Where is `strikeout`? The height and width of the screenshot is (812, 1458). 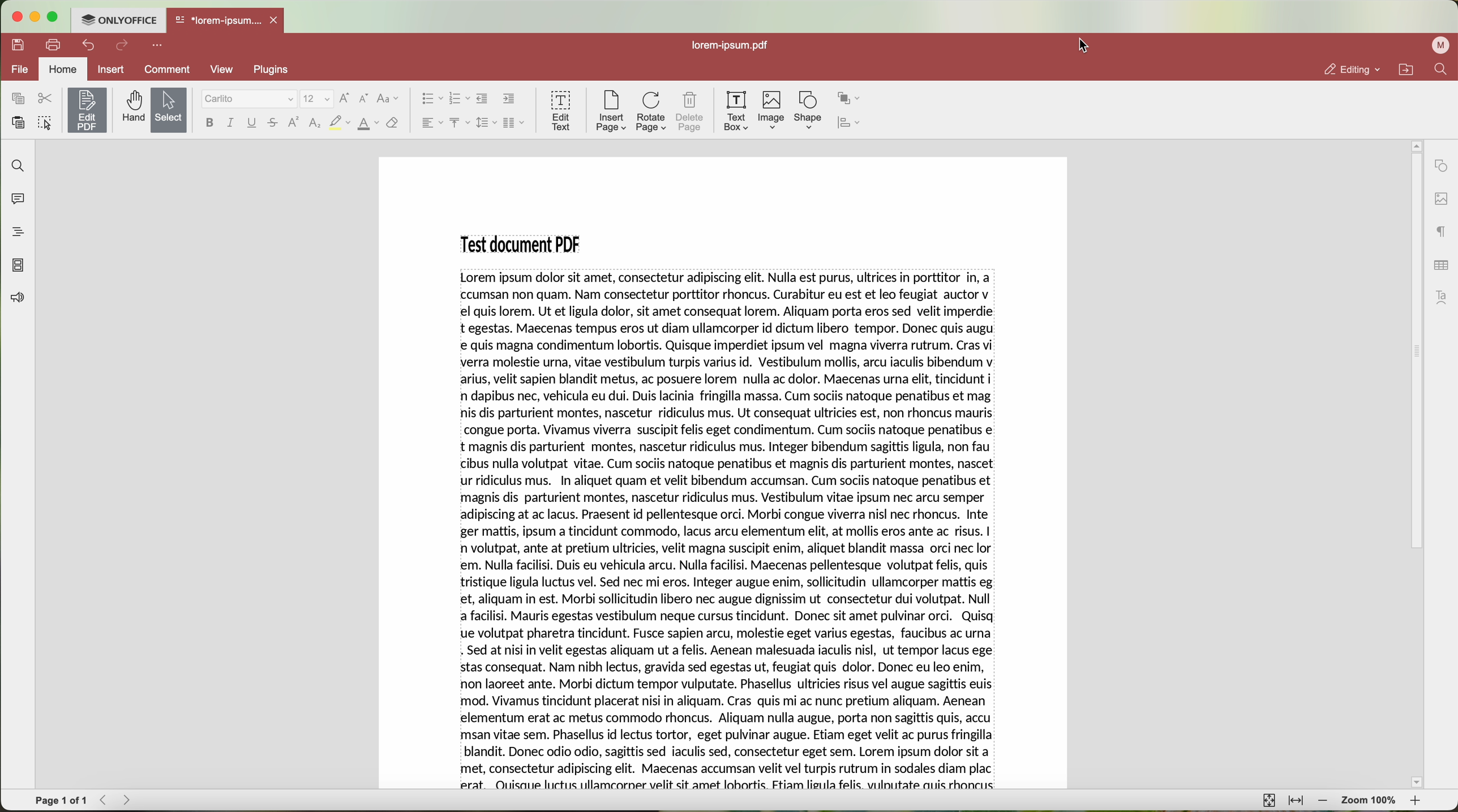 strikeout is located at coordinates (275, 123).